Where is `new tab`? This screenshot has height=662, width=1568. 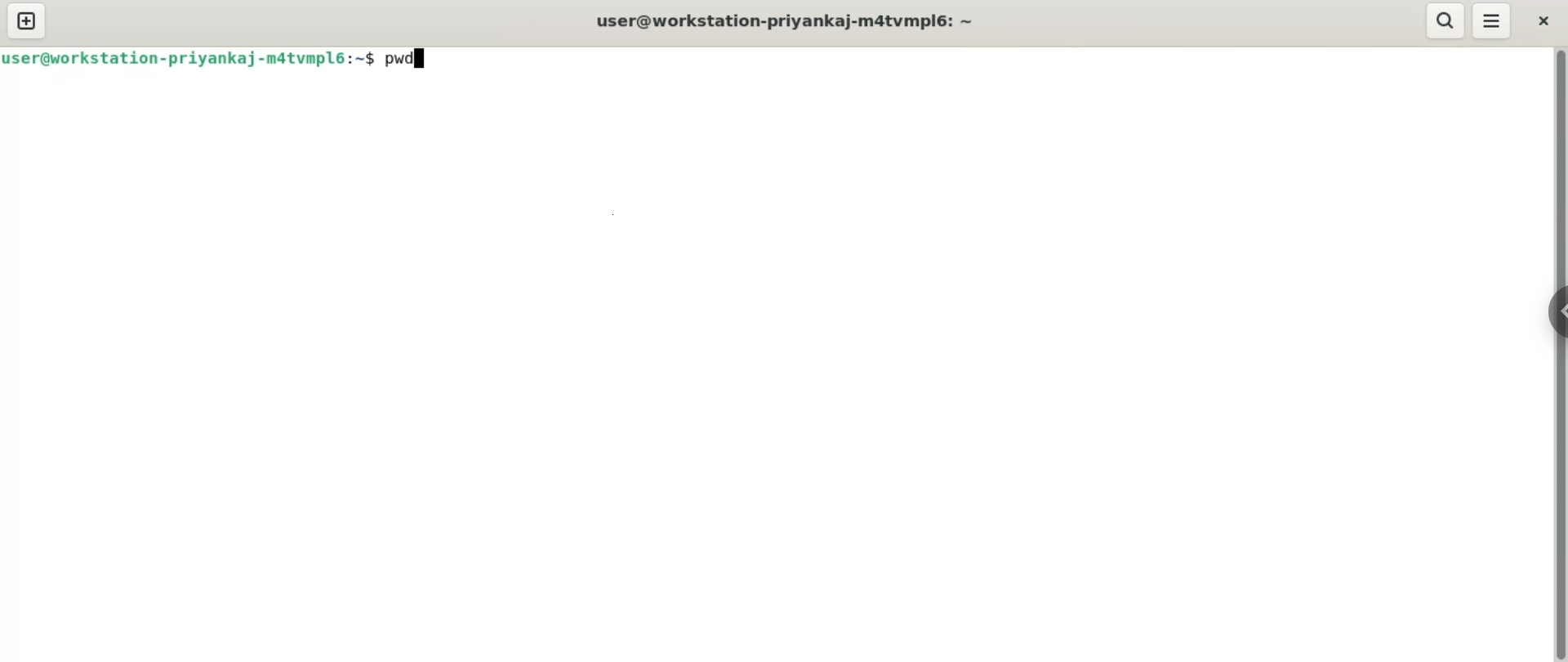
new tab is located at coordinates (26, 20).